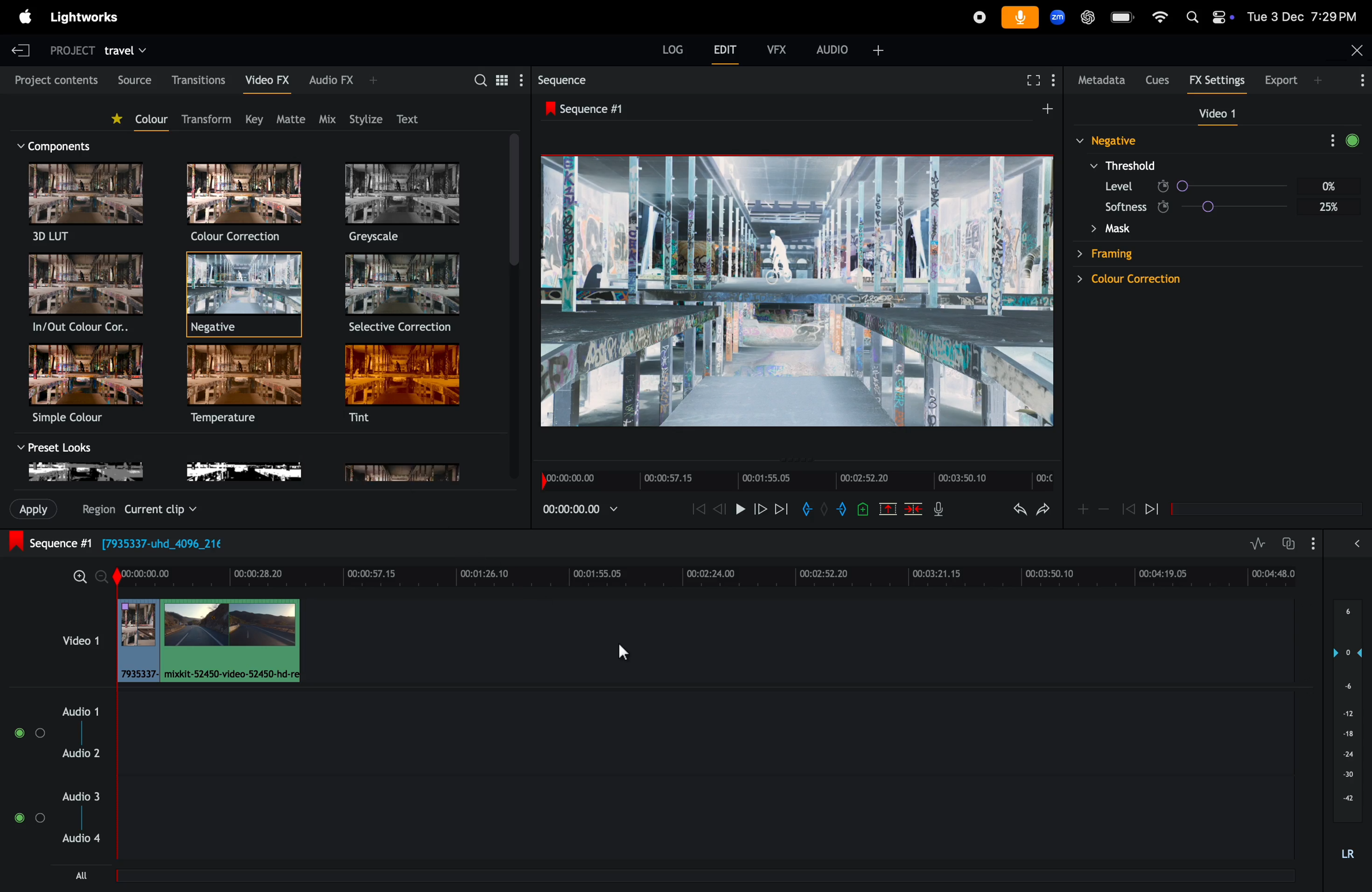  I want to click on redo, so click(1043, 510).